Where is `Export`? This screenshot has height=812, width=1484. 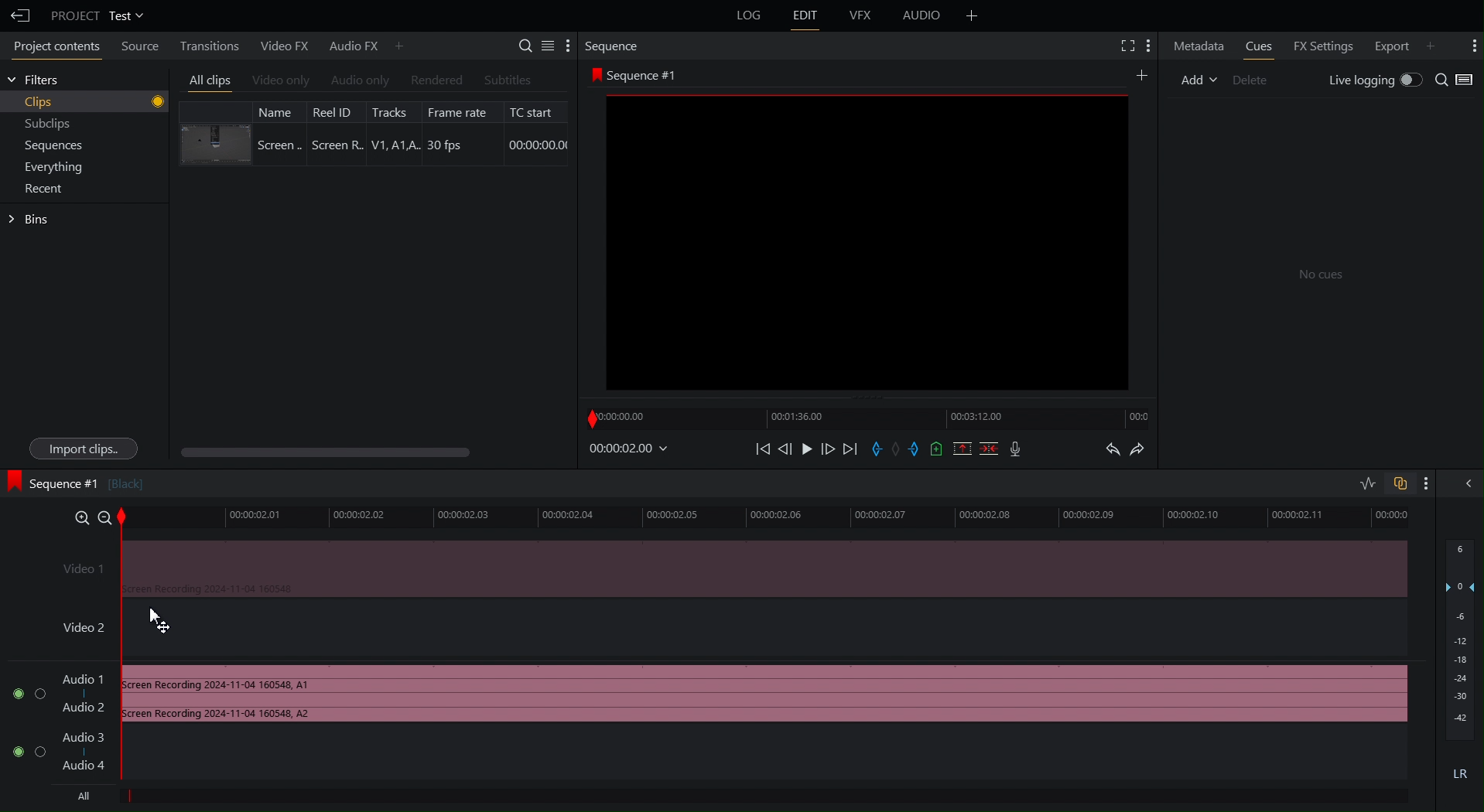
Export is located at coordinates (1400, 46).